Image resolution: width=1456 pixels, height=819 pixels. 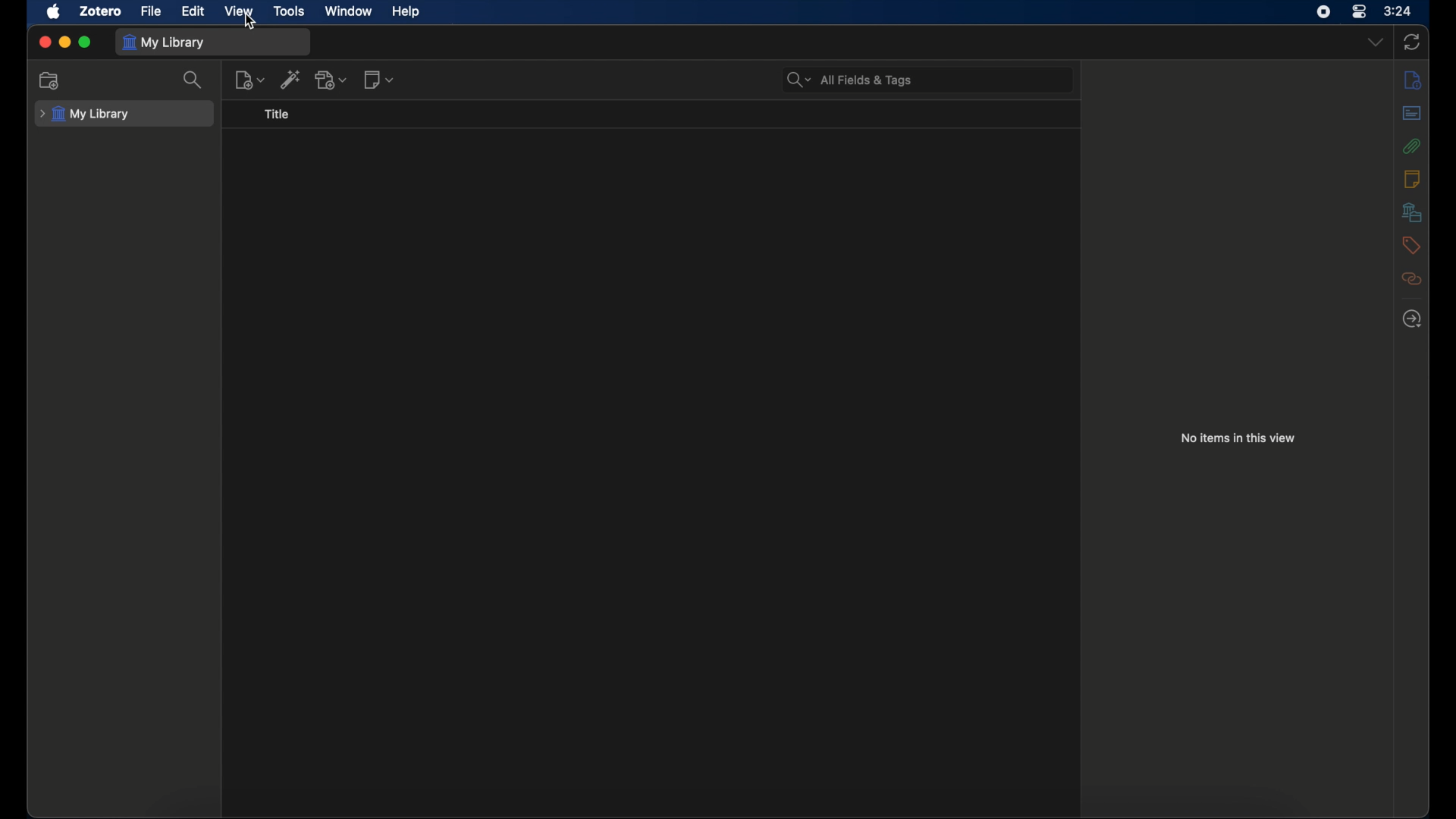 What do you see at coordinates (849, 80) in the screenshot?
I see `all fileds & tags` at bounding box center [849, 80].